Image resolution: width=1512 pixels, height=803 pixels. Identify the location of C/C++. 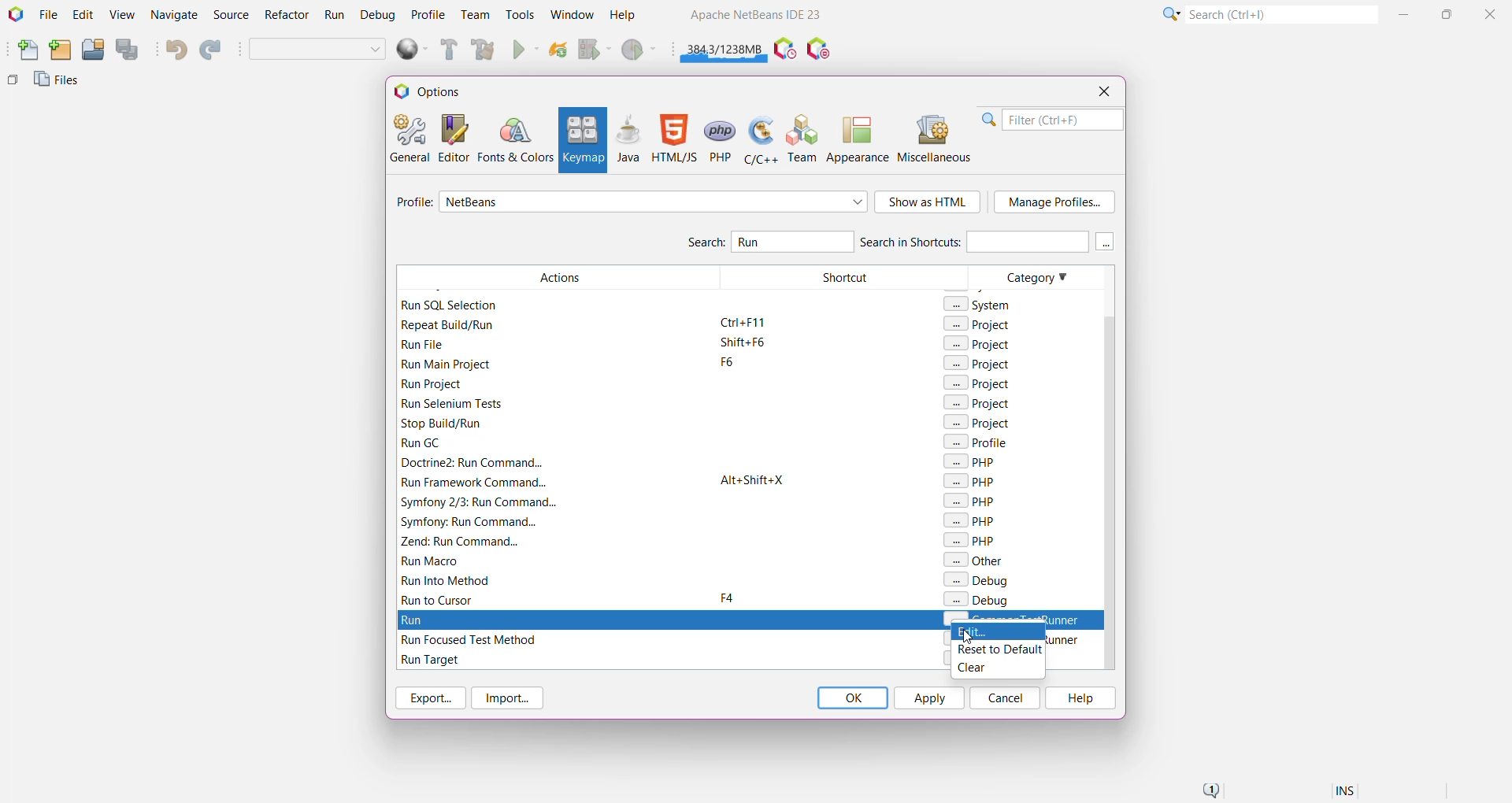
(759, 139).